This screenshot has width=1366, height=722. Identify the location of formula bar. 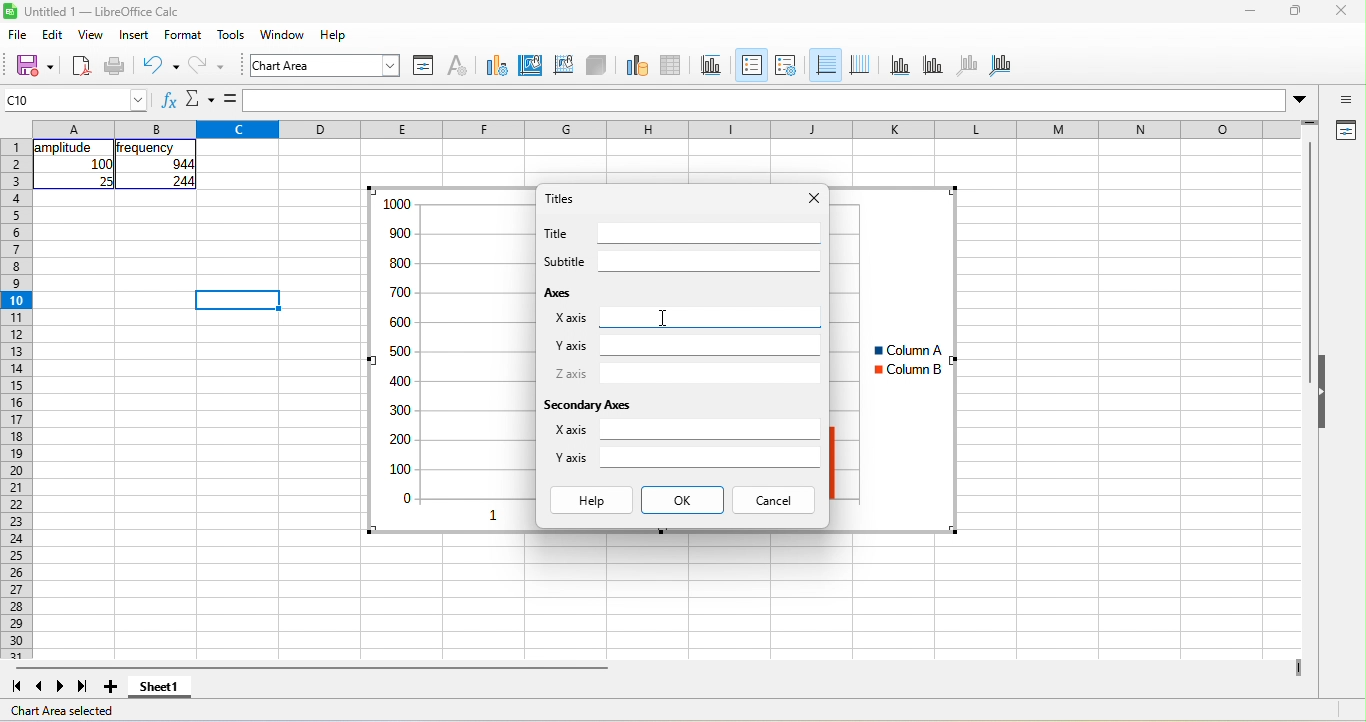
(765, 100).